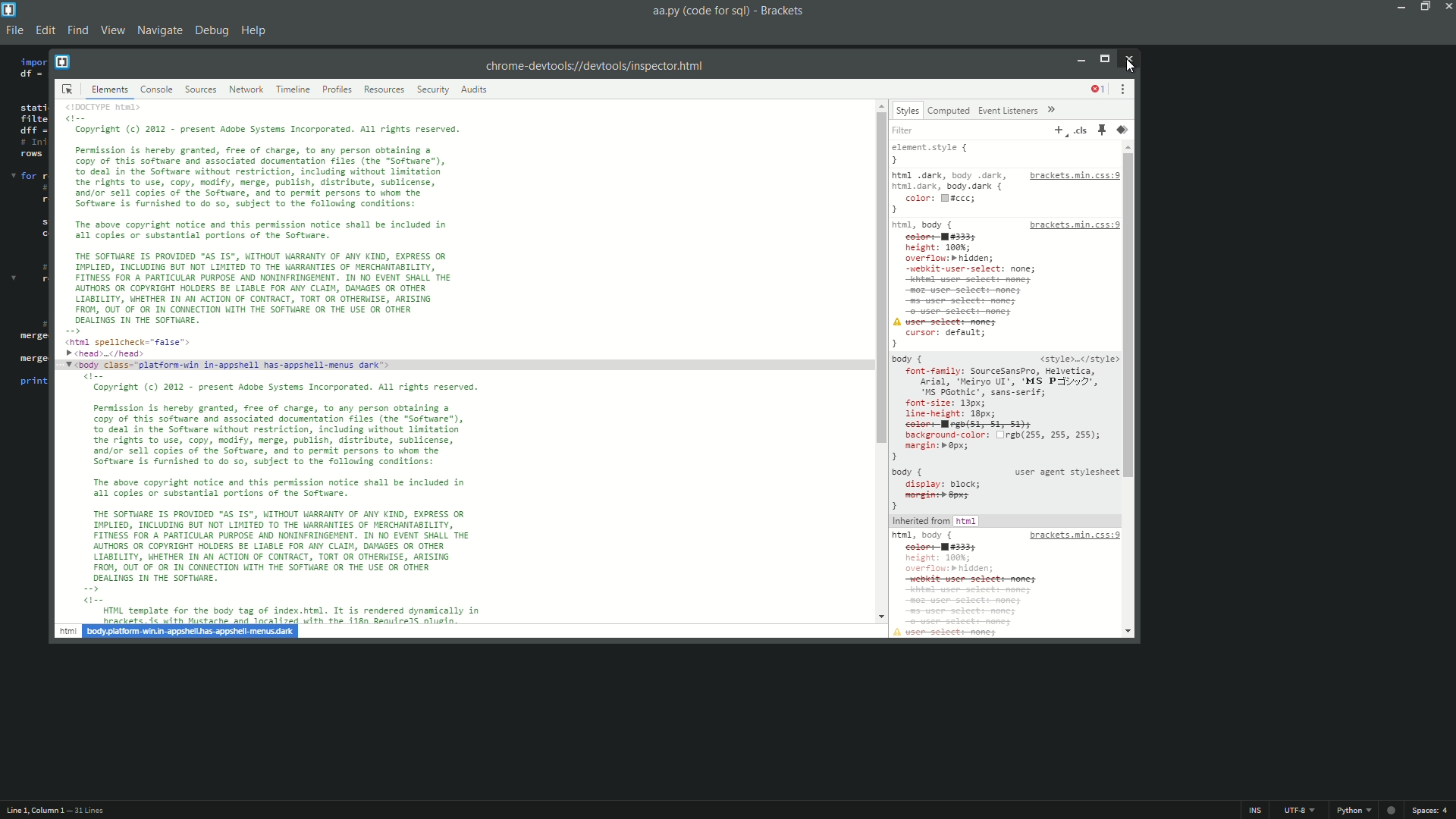 This screenshot has height=819, width=1456. What do you see at coordinates (63, 62) in the screenshot?
I see `app icon` at bounding box center [63, 62].